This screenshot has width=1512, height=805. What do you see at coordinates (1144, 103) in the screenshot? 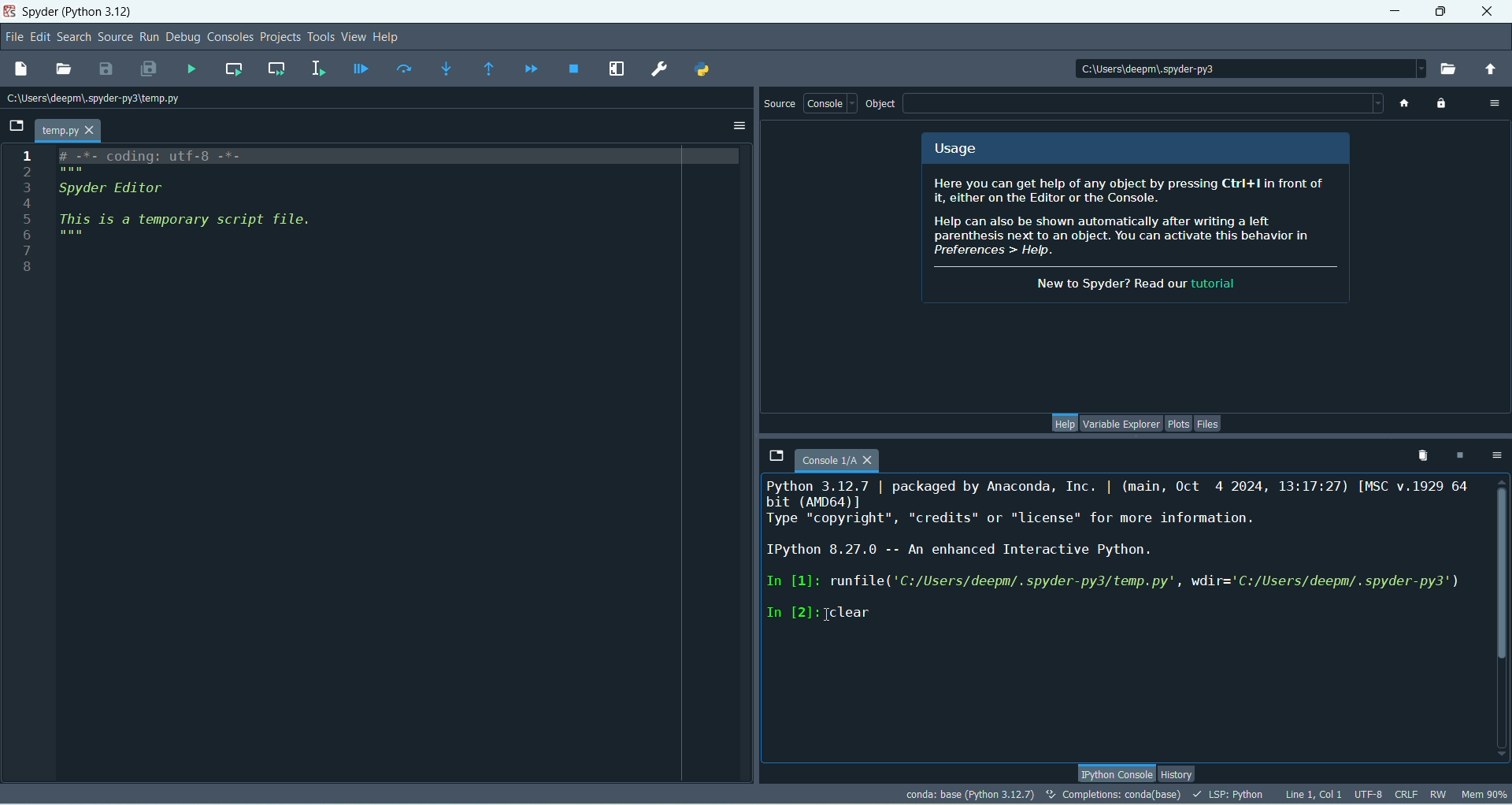
I see `blank space` at bounding box center [1144, 103].